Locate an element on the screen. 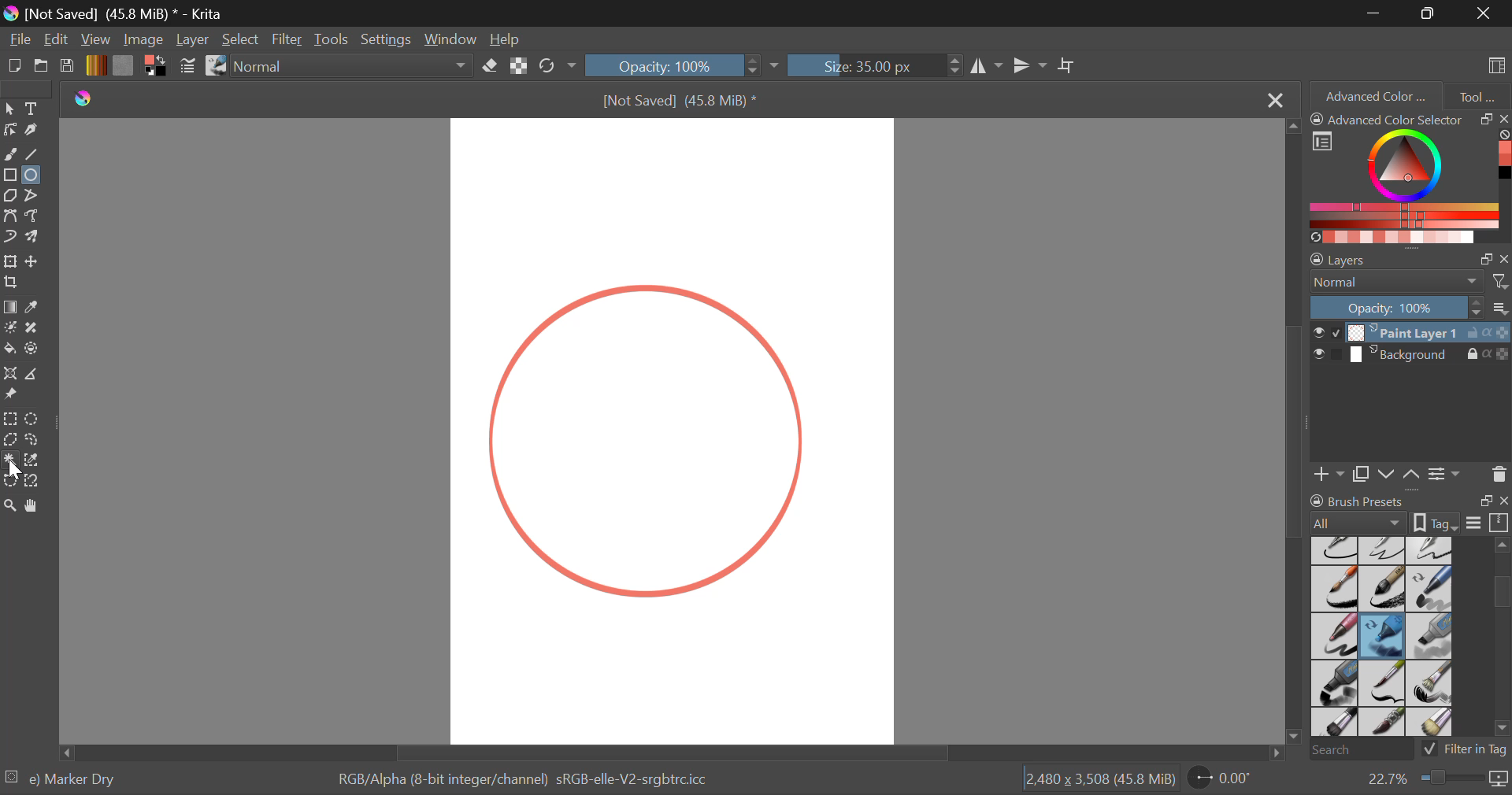  Continuous Selection is located at coordinates (9, 460).